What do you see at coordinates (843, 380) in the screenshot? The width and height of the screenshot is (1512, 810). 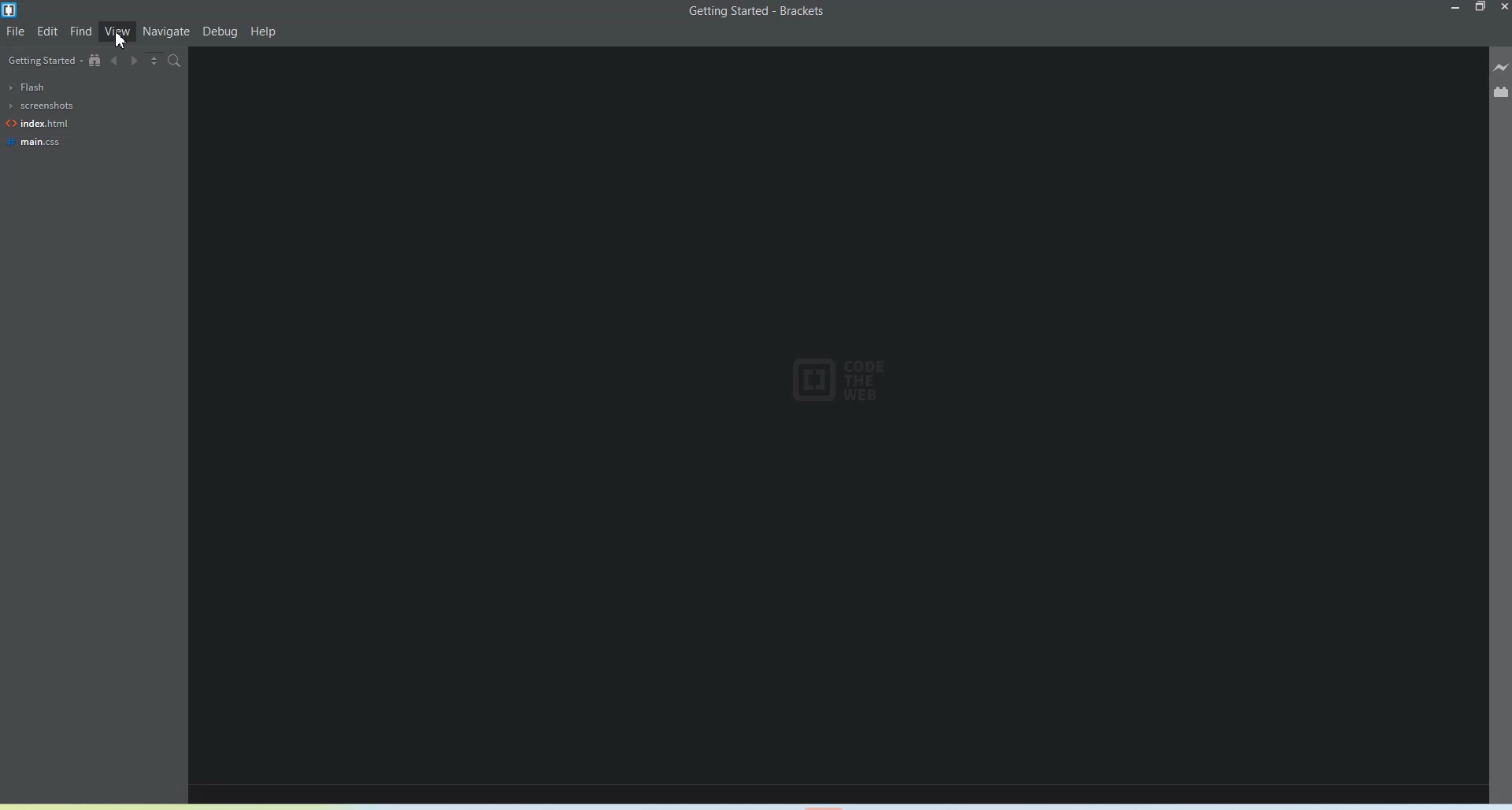 I see `Code the Web` at bounding box center [843, 380].